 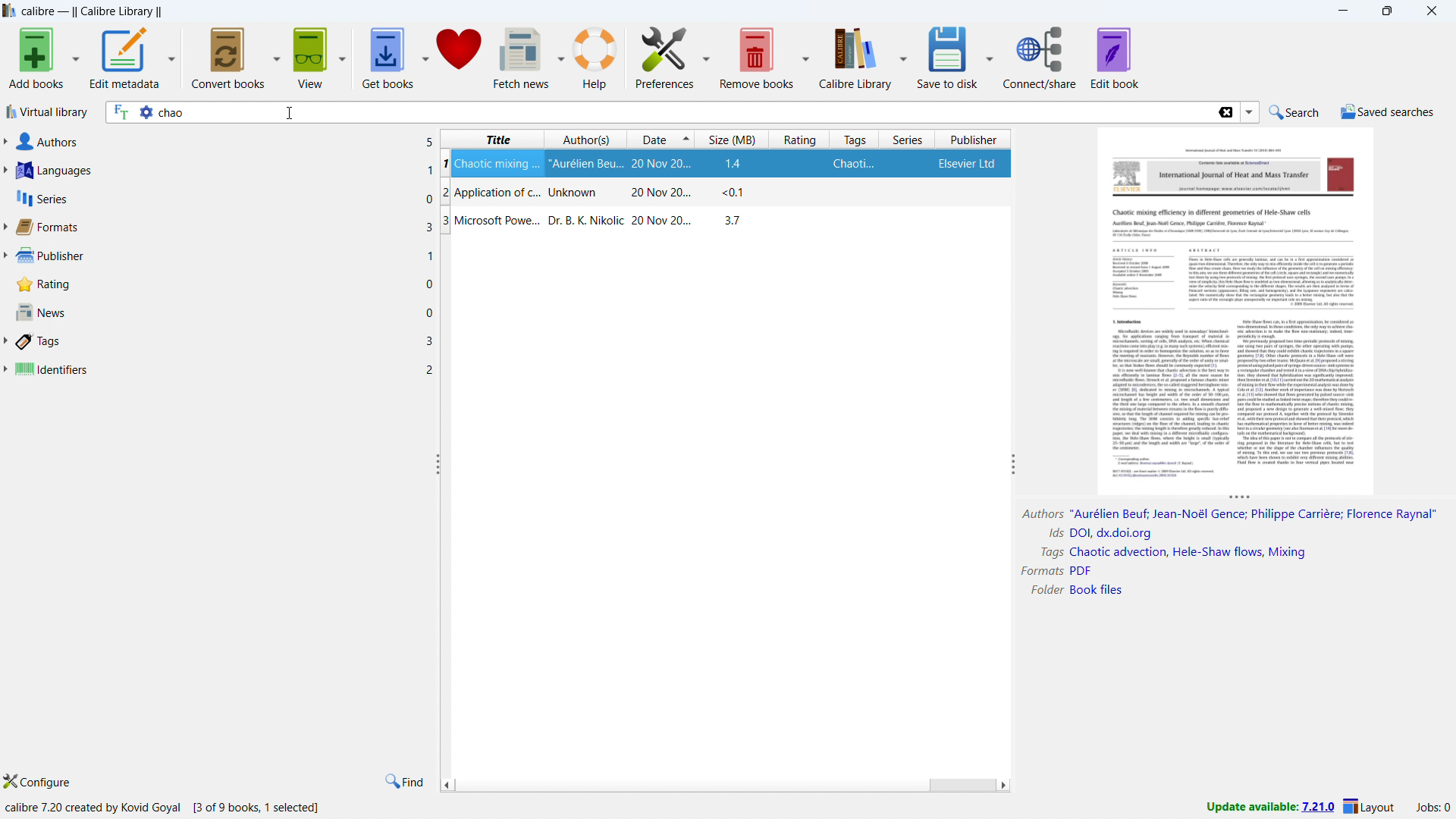 I want to click on add books, so click(x=35, y=57).